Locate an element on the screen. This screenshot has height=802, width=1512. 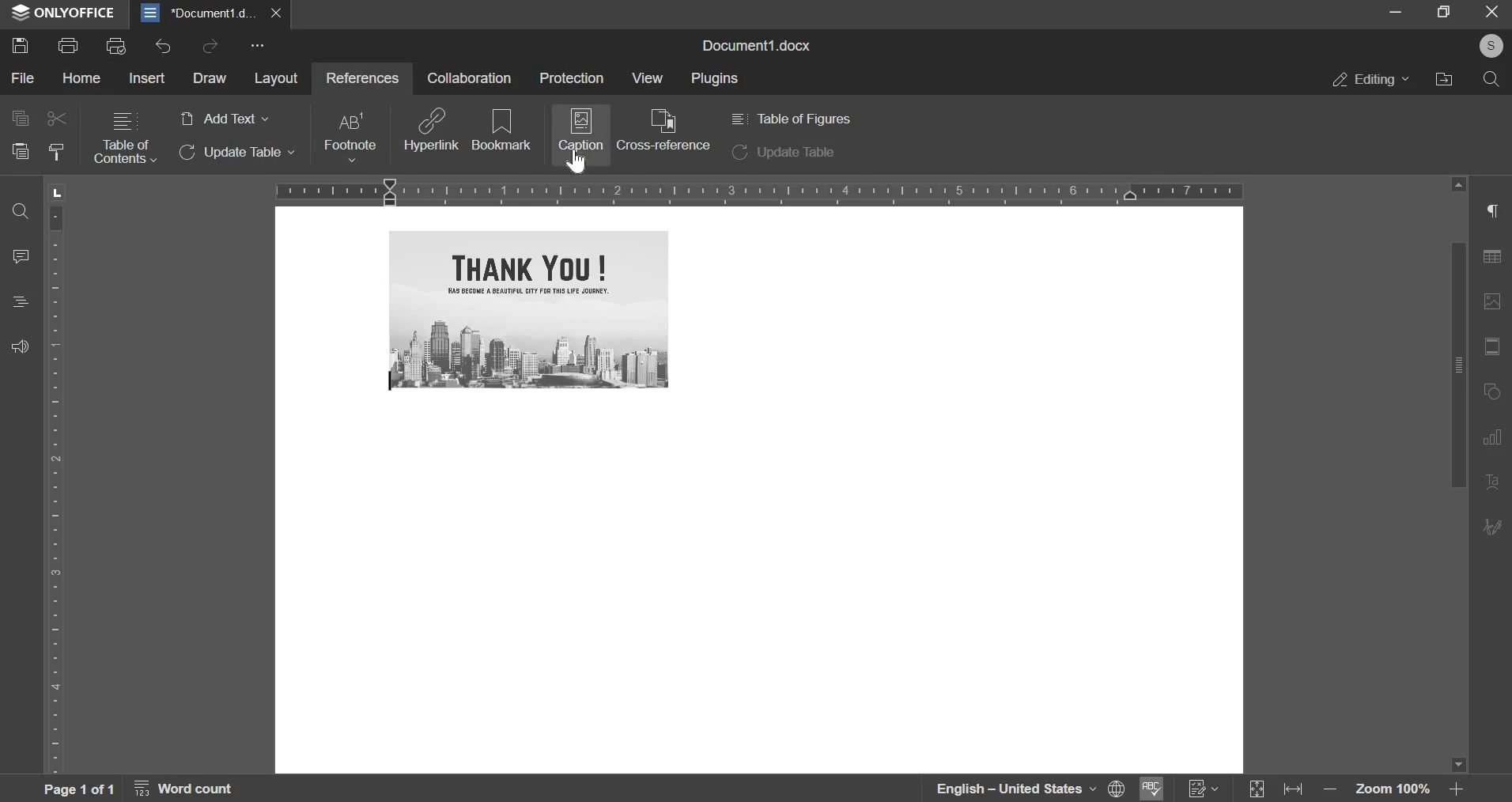
file location is located at coordinates (1443, 78).